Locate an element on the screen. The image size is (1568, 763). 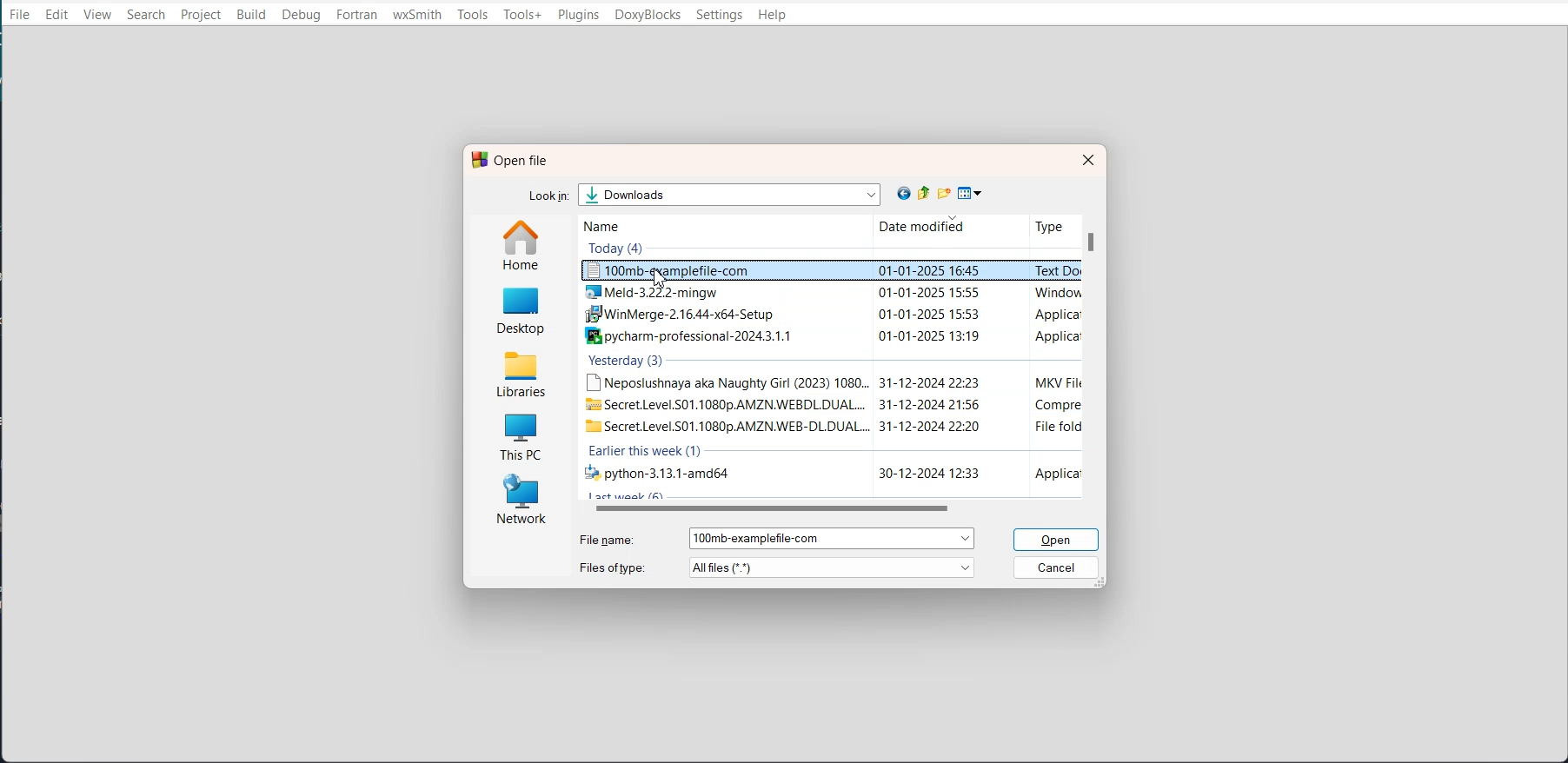
secret level season 1 is located at coordinates (830, 404).